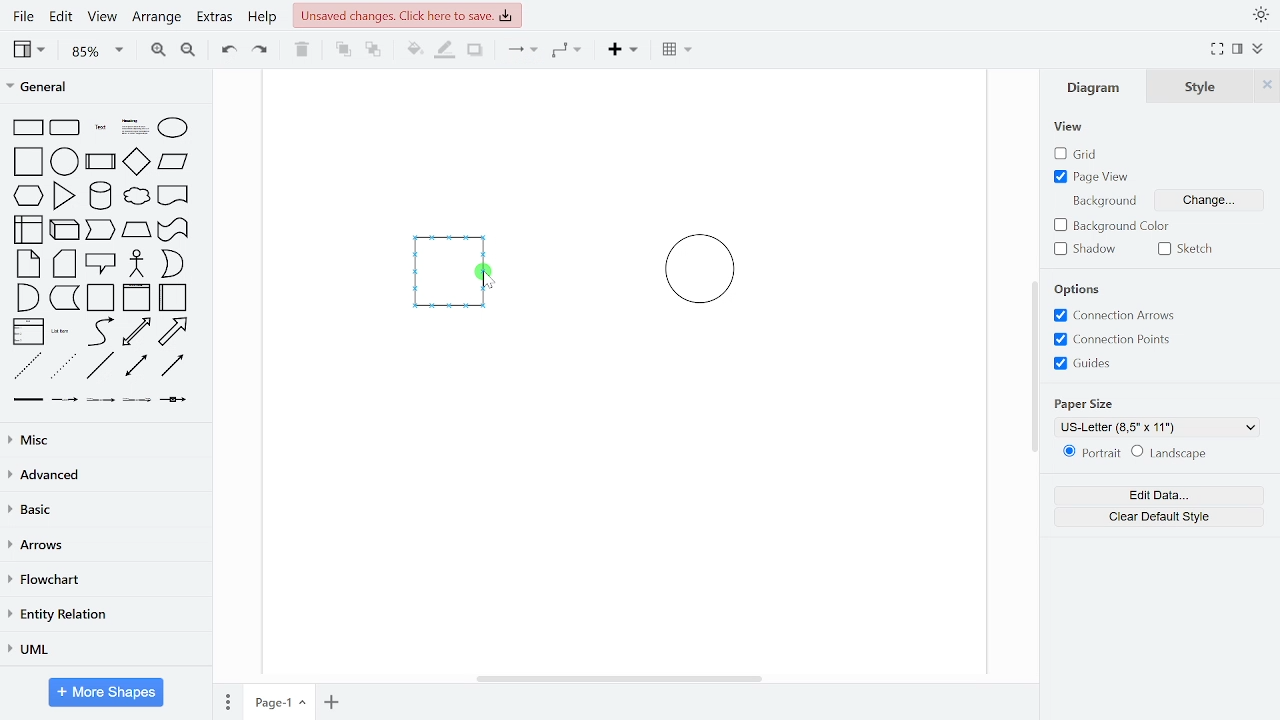 This screenshot has width=1280, height=720. Describe the element at coordinates (1190, 249) in the screenshot. I see `sketch` at that location.